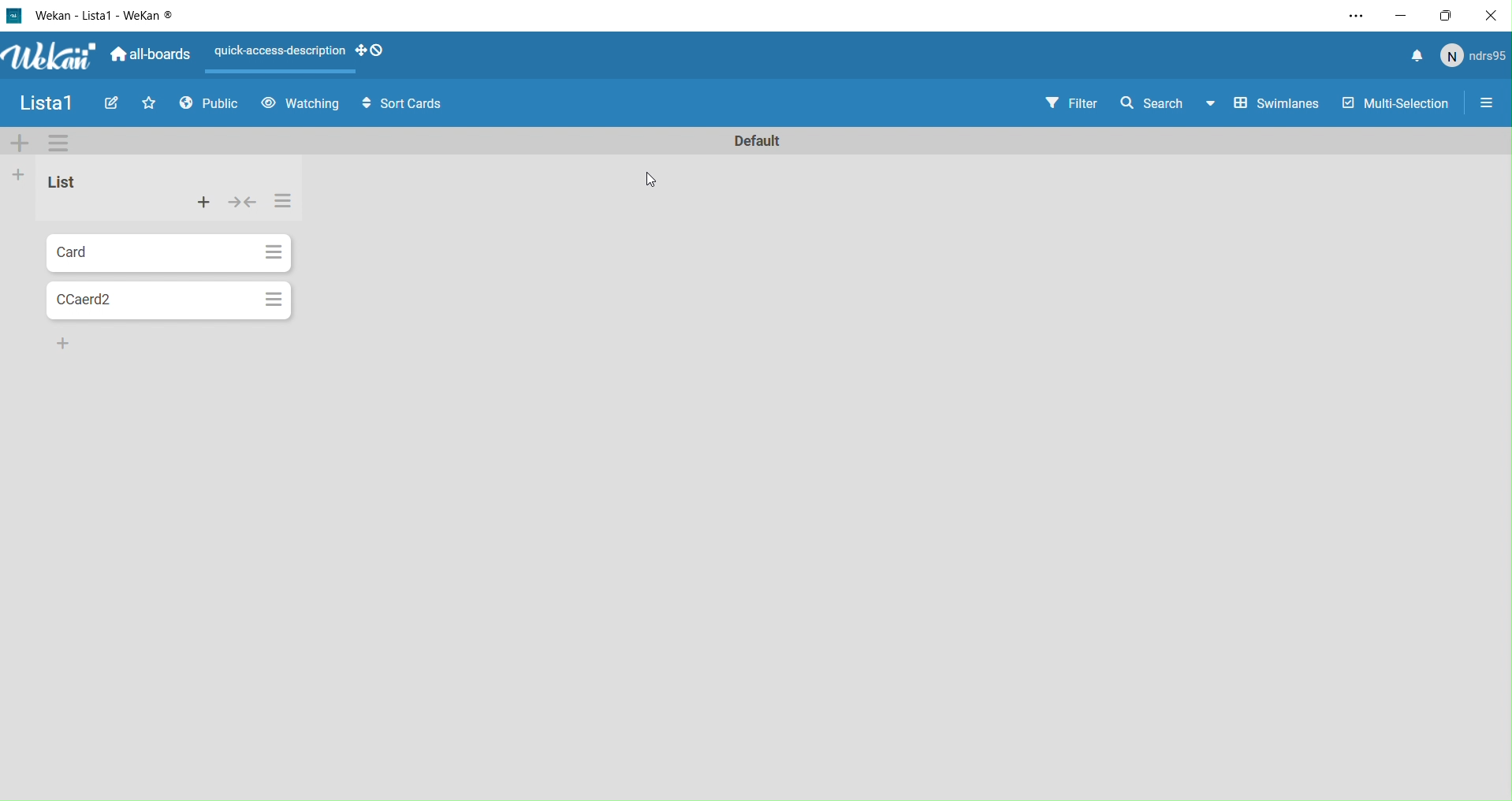 Image resolution: width=1512 pixels, height=801 pixels. Describe the element at coordinates (1493, 15) in the screenshot. I see `Close` at that location.